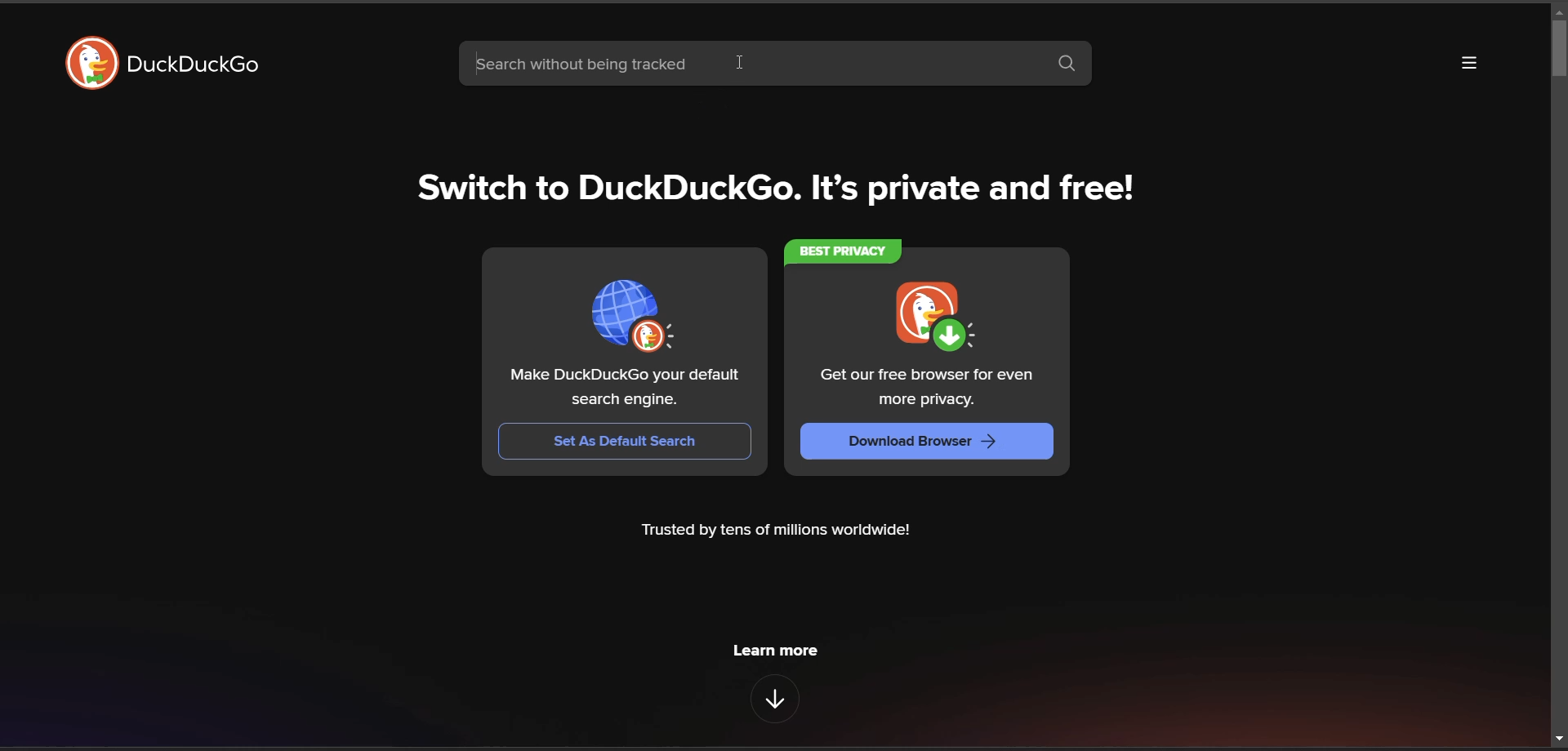 Image resolution: width=1568 pixels, height=751 pixels. Describe the element at coordinates (767, 184) in the screenshot. I see `Switch to DuckDuckGo. It’s private and free!` at that location.